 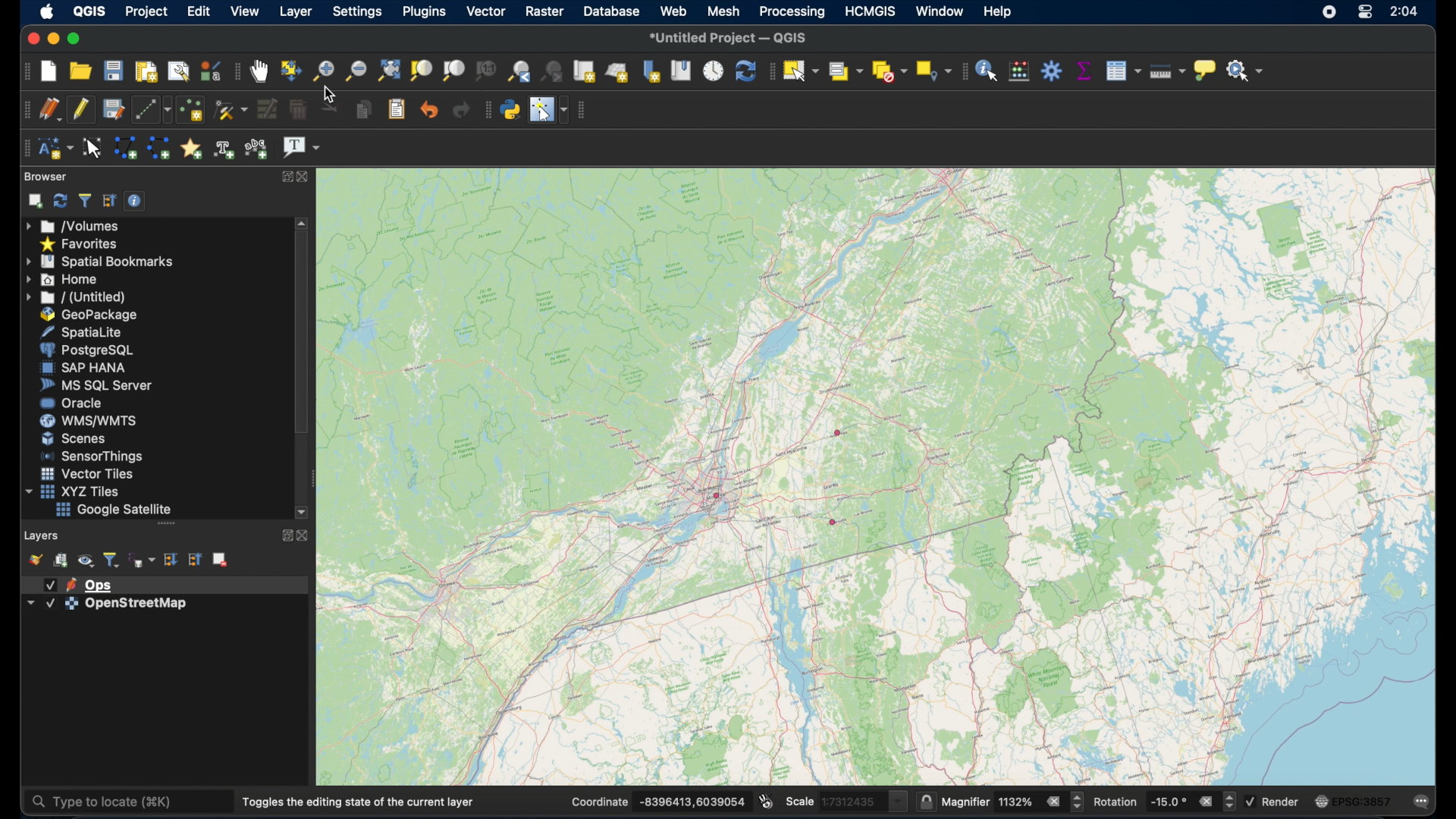 I want to click on open attributes, so click(x=1122, y=71).